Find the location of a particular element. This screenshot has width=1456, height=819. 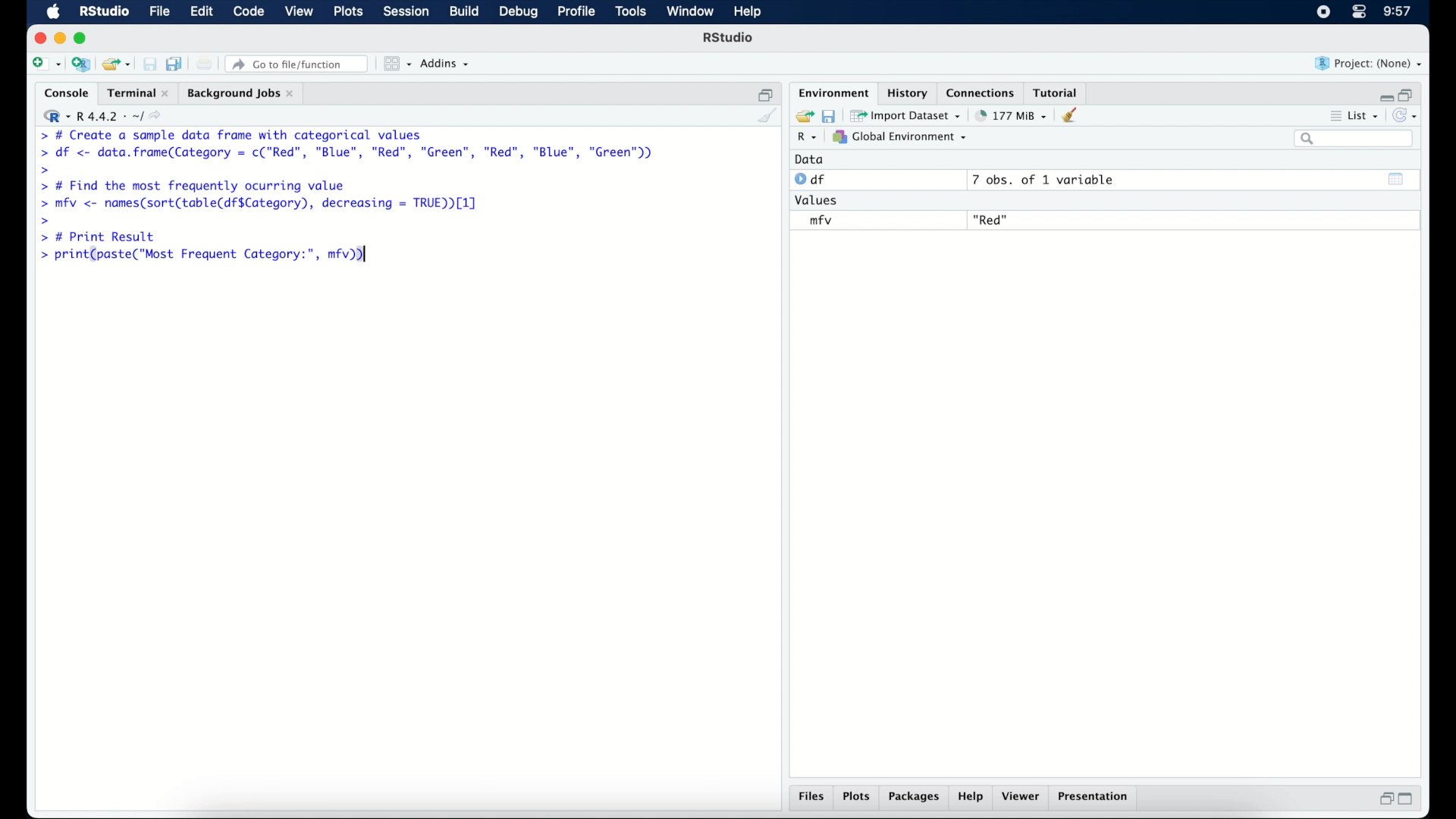

command prompt is located at coordinates (38, 135).